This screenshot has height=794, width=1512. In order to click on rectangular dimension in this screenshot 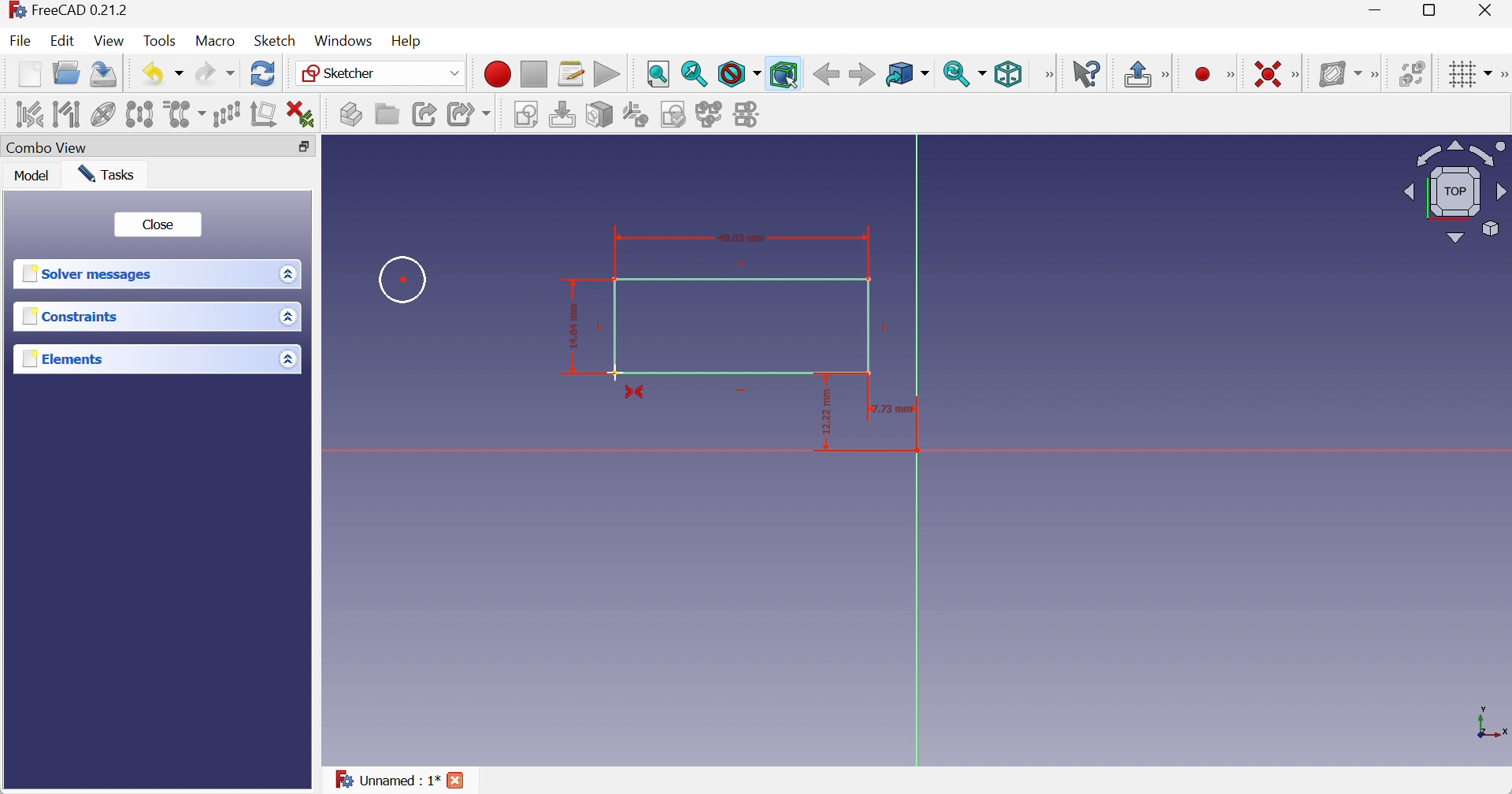, I will do `click(876, 416)`.